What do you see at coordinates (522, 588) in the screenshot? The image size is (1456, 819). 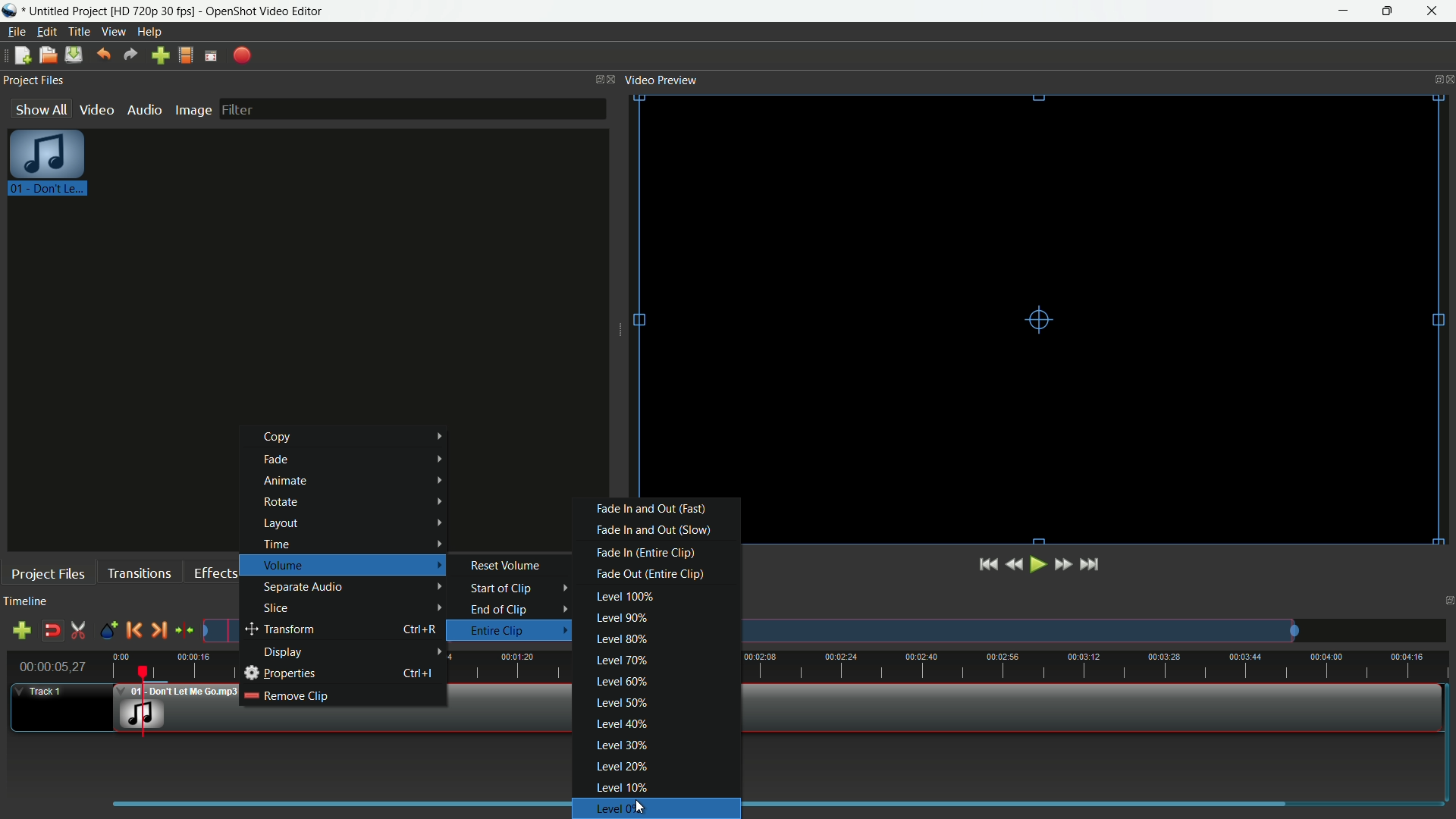 I see `start of clip` at bounding box center [522, 588].